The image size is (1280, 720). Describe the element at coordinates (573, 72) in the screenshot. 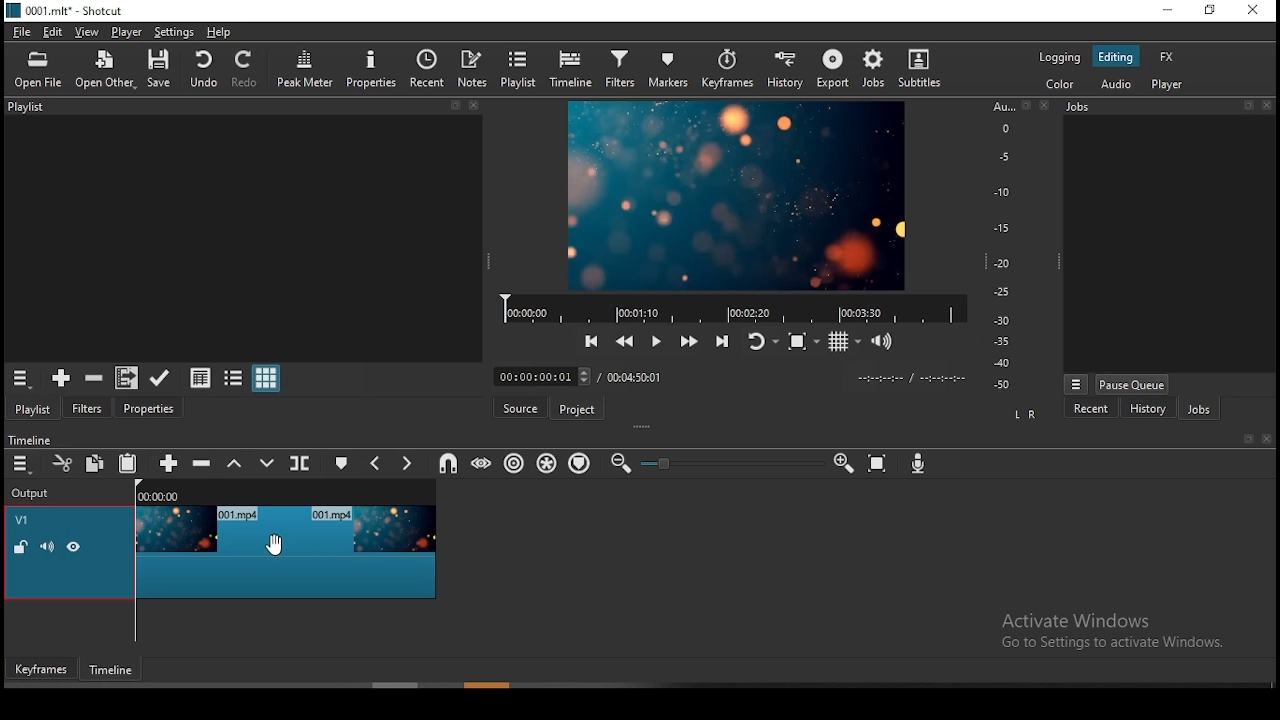

I see `timeline` at that location.